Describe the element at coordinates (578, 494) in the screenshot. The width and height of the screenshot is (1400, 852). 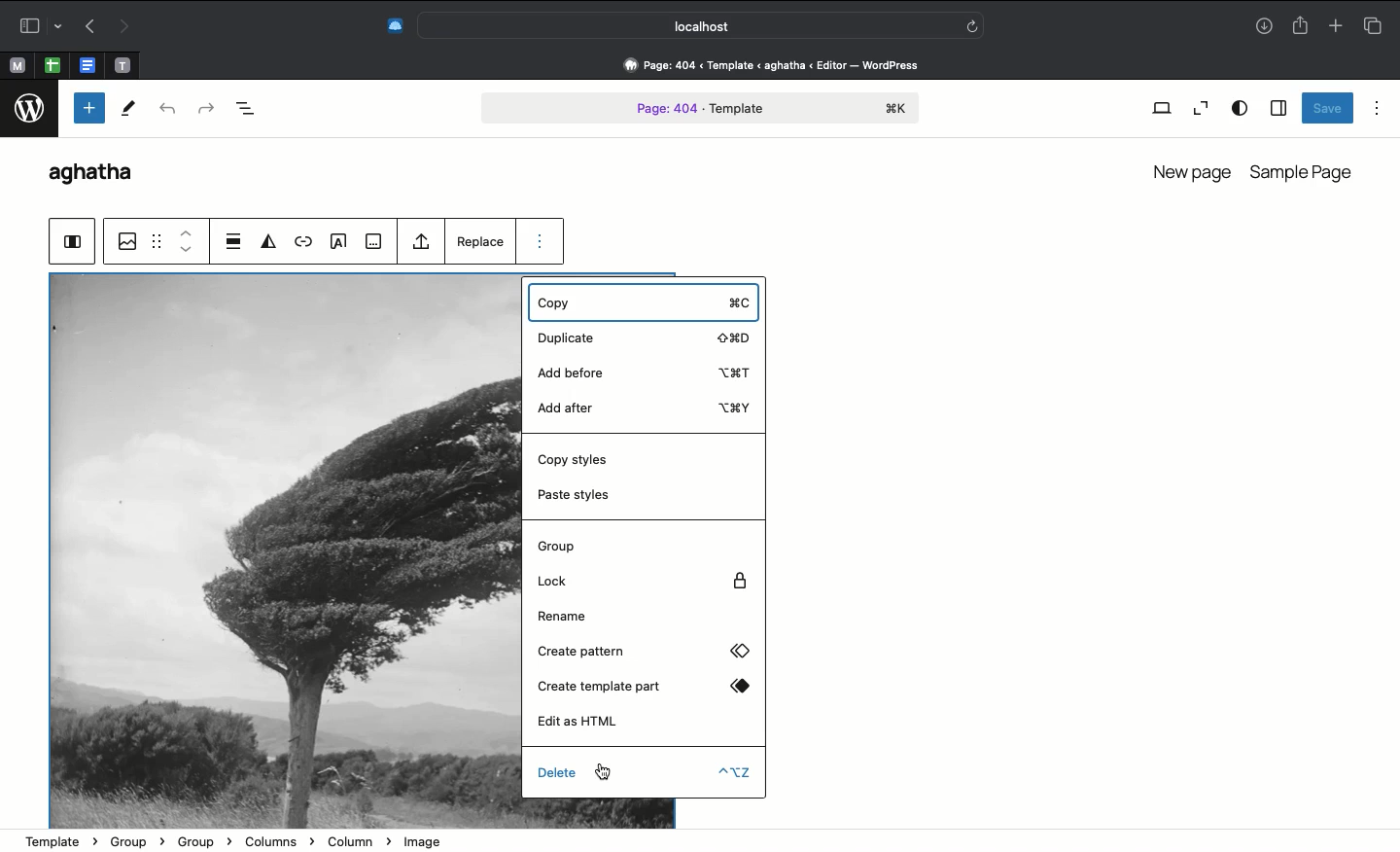
I see `Paste styles` at that location.